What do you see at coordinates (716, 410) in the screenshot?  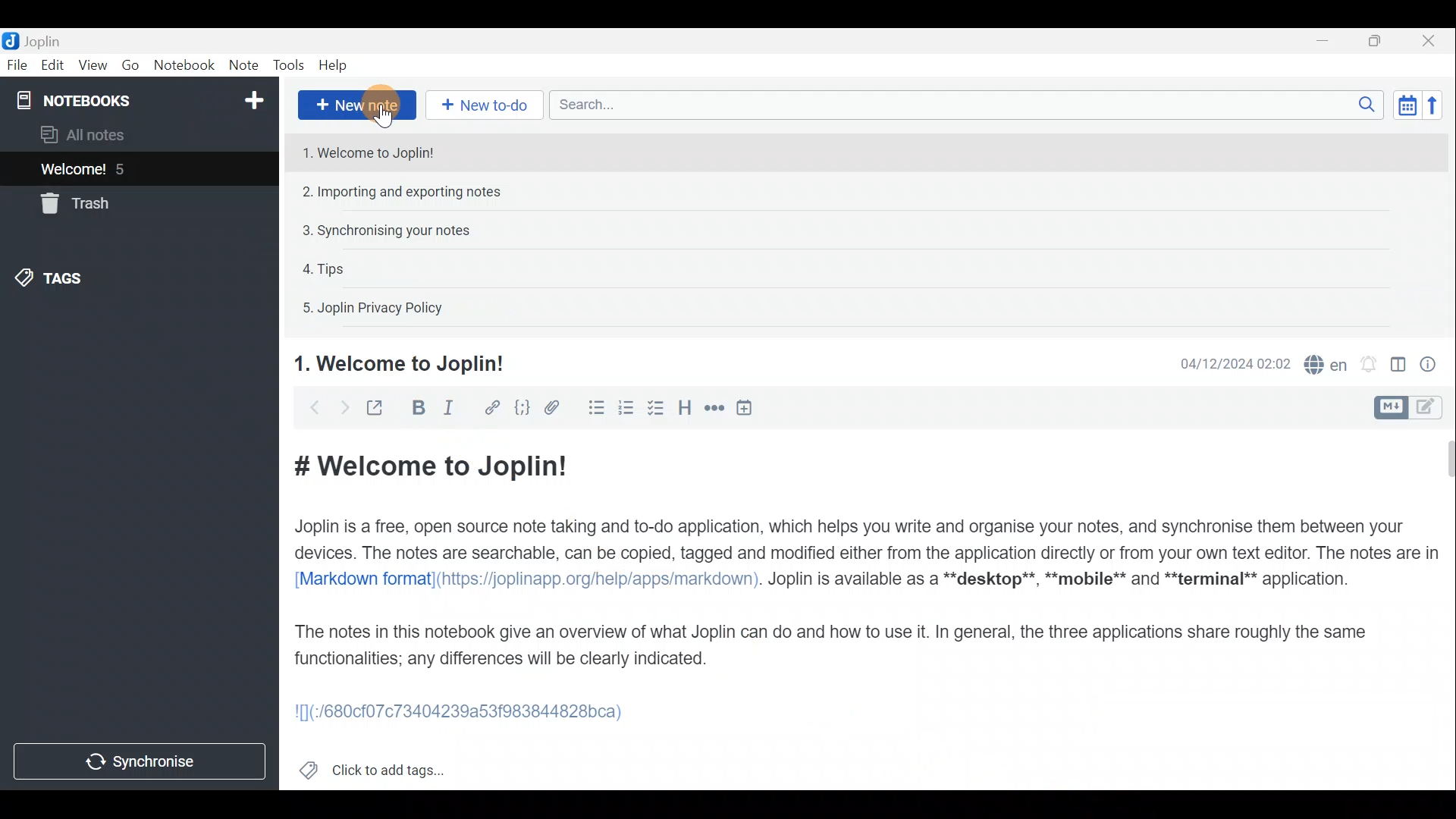 I see `Horizontal rule` at bounding box center [716, 410].